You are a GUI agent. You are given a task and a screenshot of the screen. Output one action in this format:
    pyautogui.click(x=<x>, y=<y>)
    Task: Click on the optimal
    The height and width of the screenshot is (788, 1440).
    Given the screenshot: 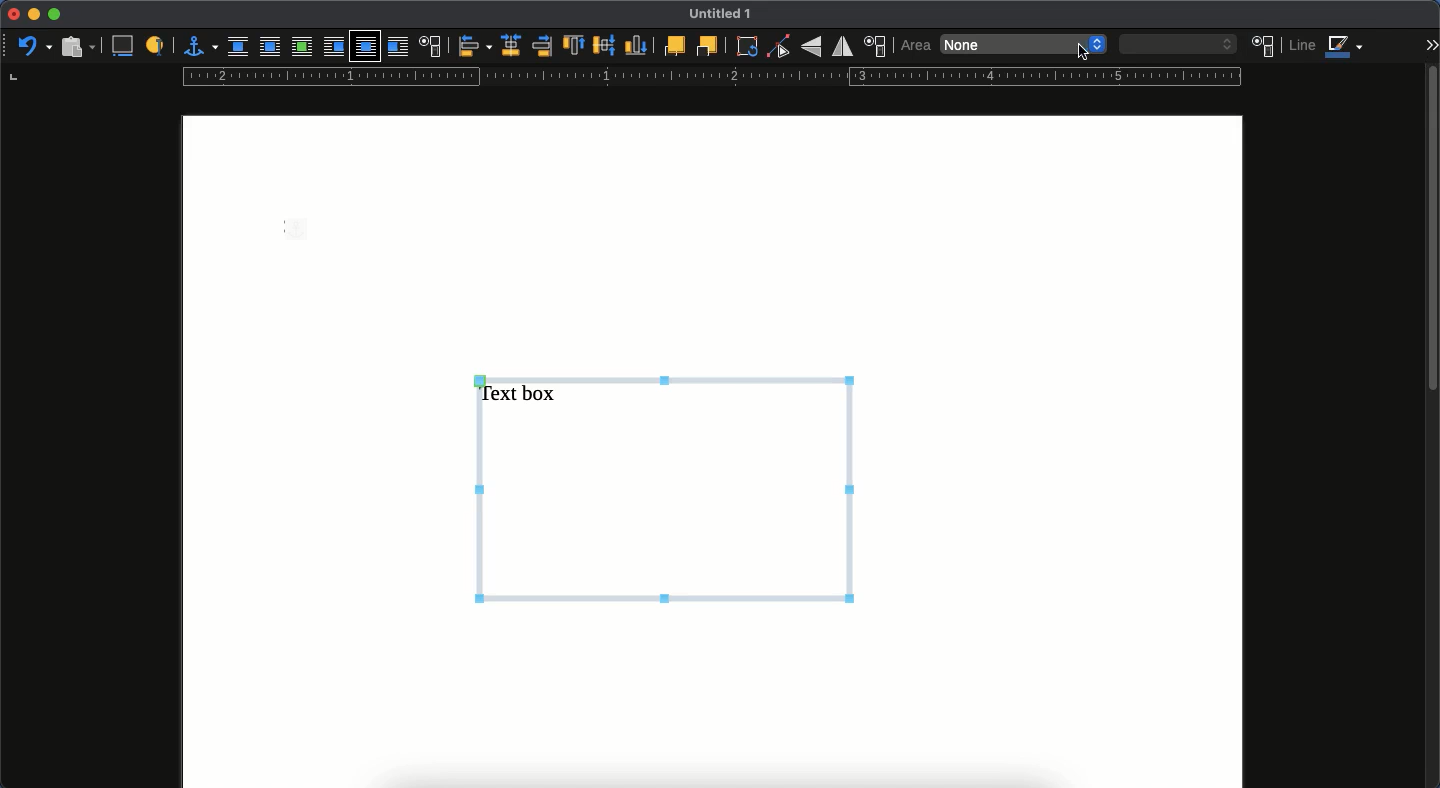 What is the action you would take?
    pyautogui.click(x=301, y=48)
    